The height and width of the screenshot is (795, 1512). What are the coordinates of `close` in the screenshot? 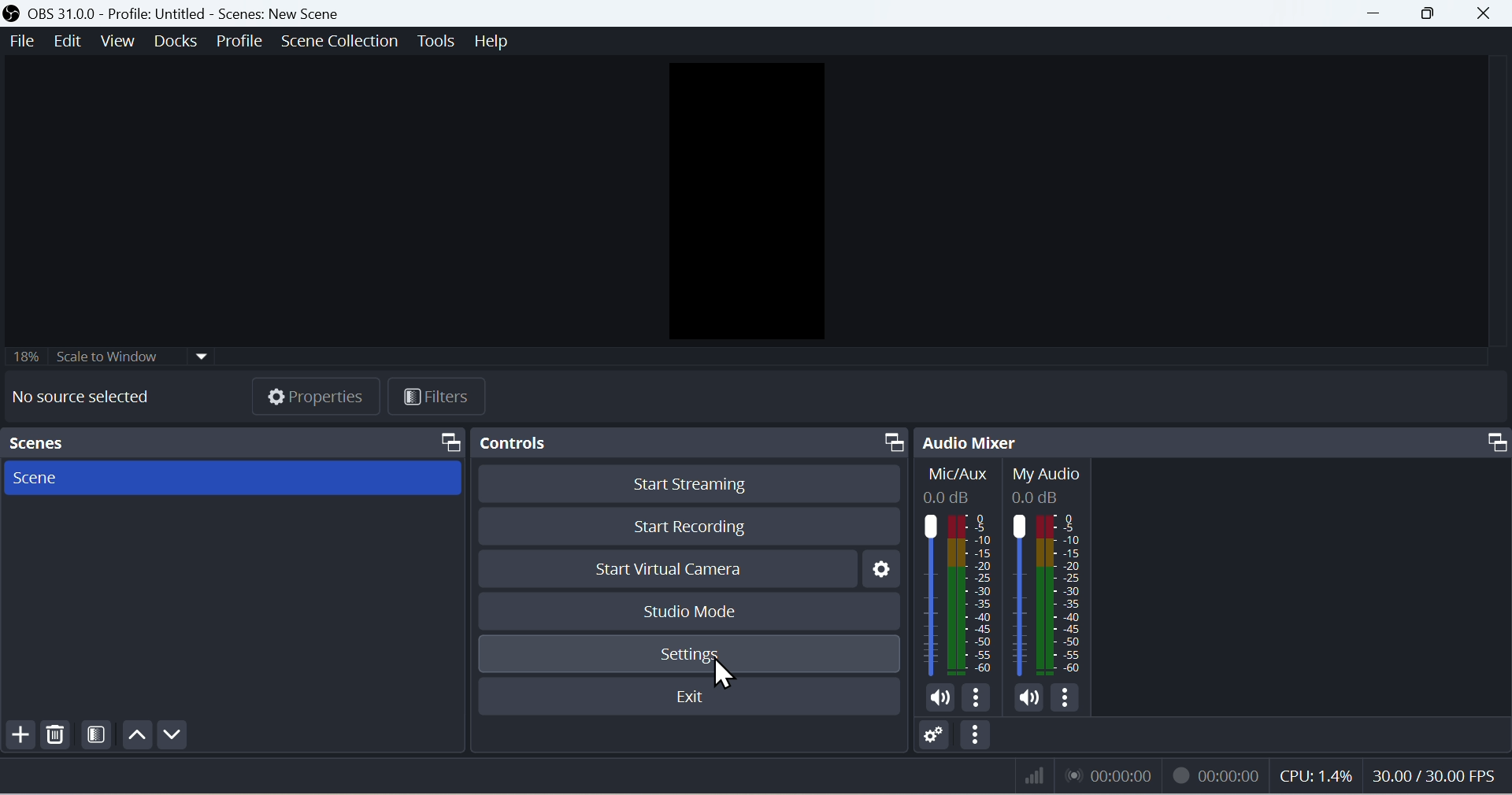 It's located at (1488, 15).